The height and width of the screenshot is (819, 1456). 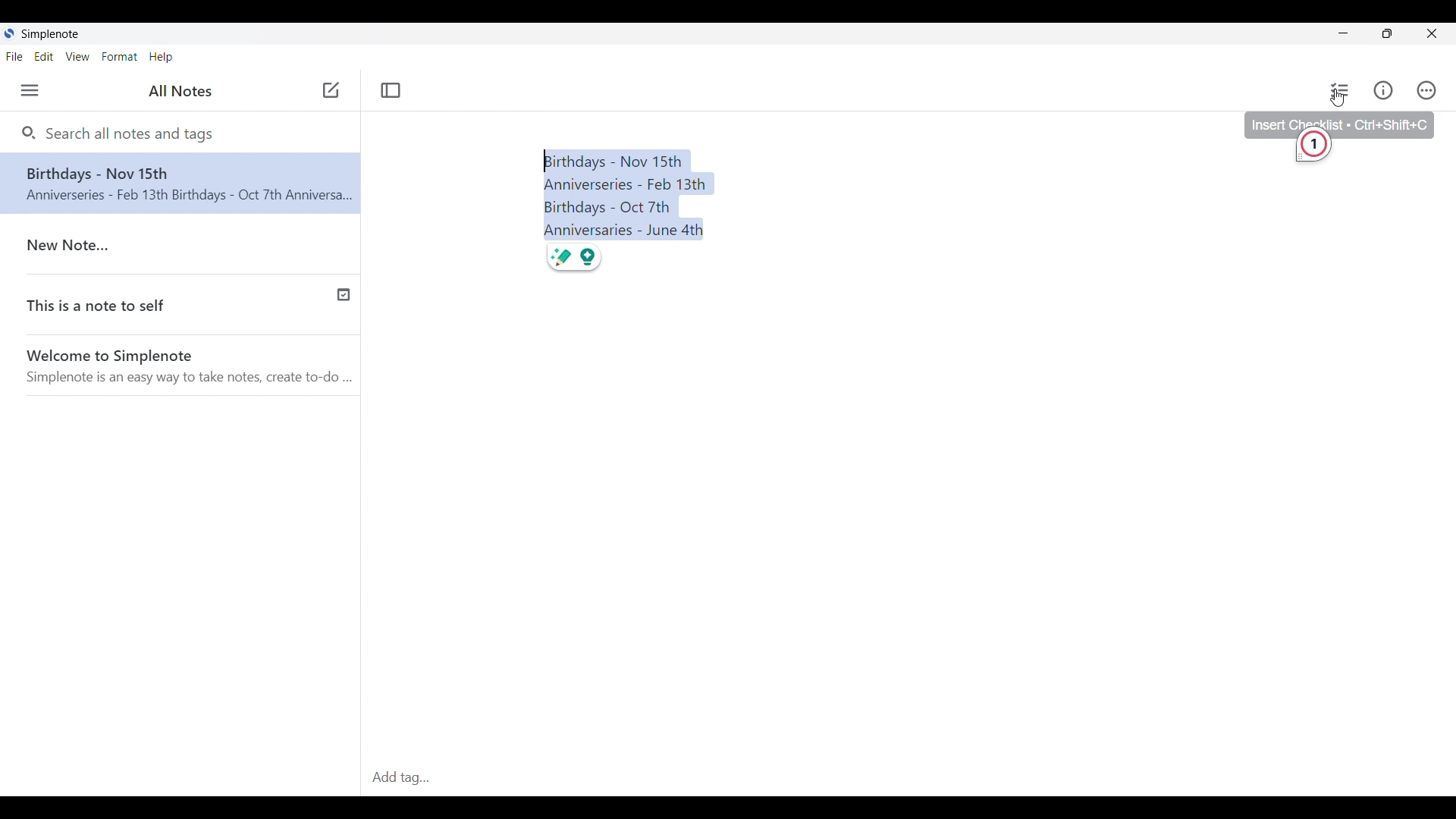 I want to click on Cursor clicking on Insert Checklist, so click(x=1338, y=98).